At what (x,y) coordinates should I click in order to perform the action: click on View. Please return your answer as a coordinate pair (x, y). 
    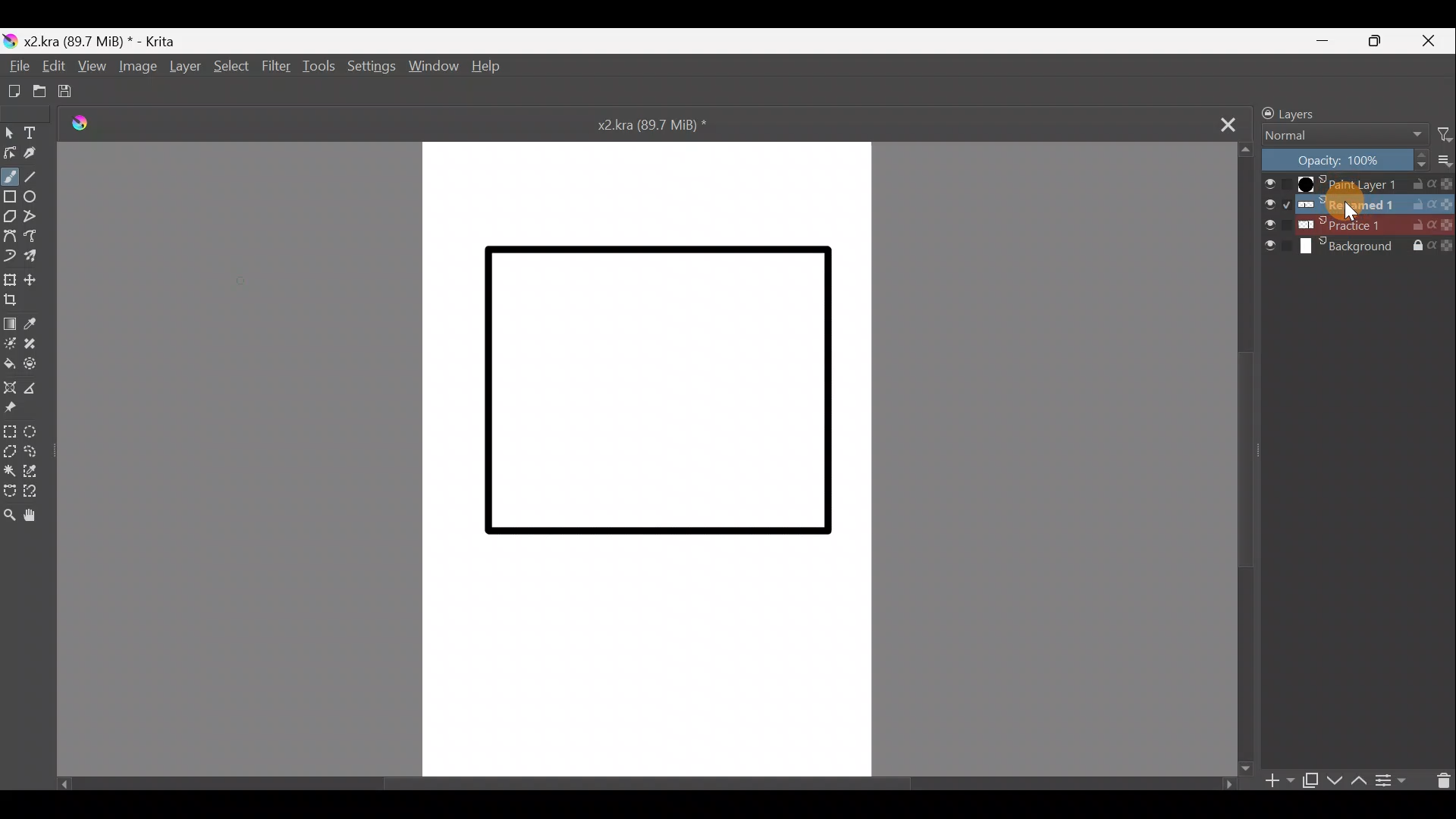
    Looking at the image, I should click on (96, 67).